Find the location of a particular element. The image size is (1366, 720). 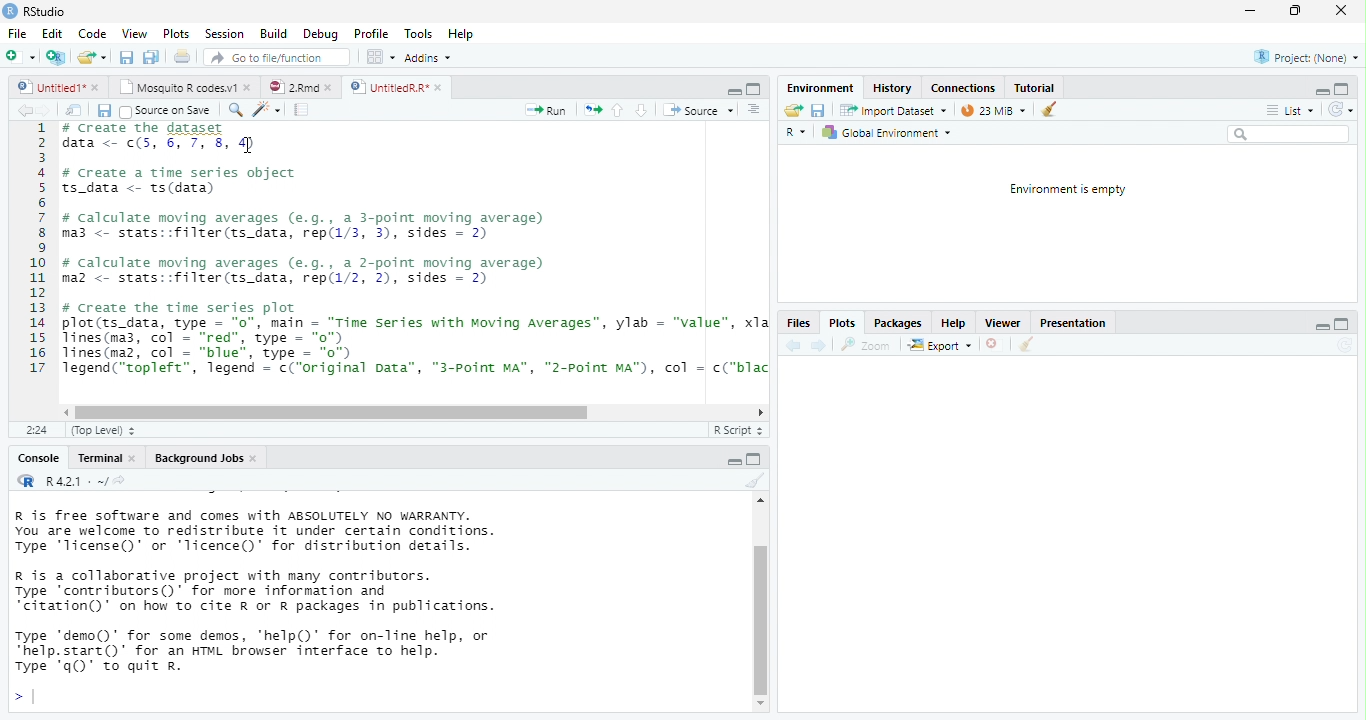

Code is located at coordinates (93, 33).